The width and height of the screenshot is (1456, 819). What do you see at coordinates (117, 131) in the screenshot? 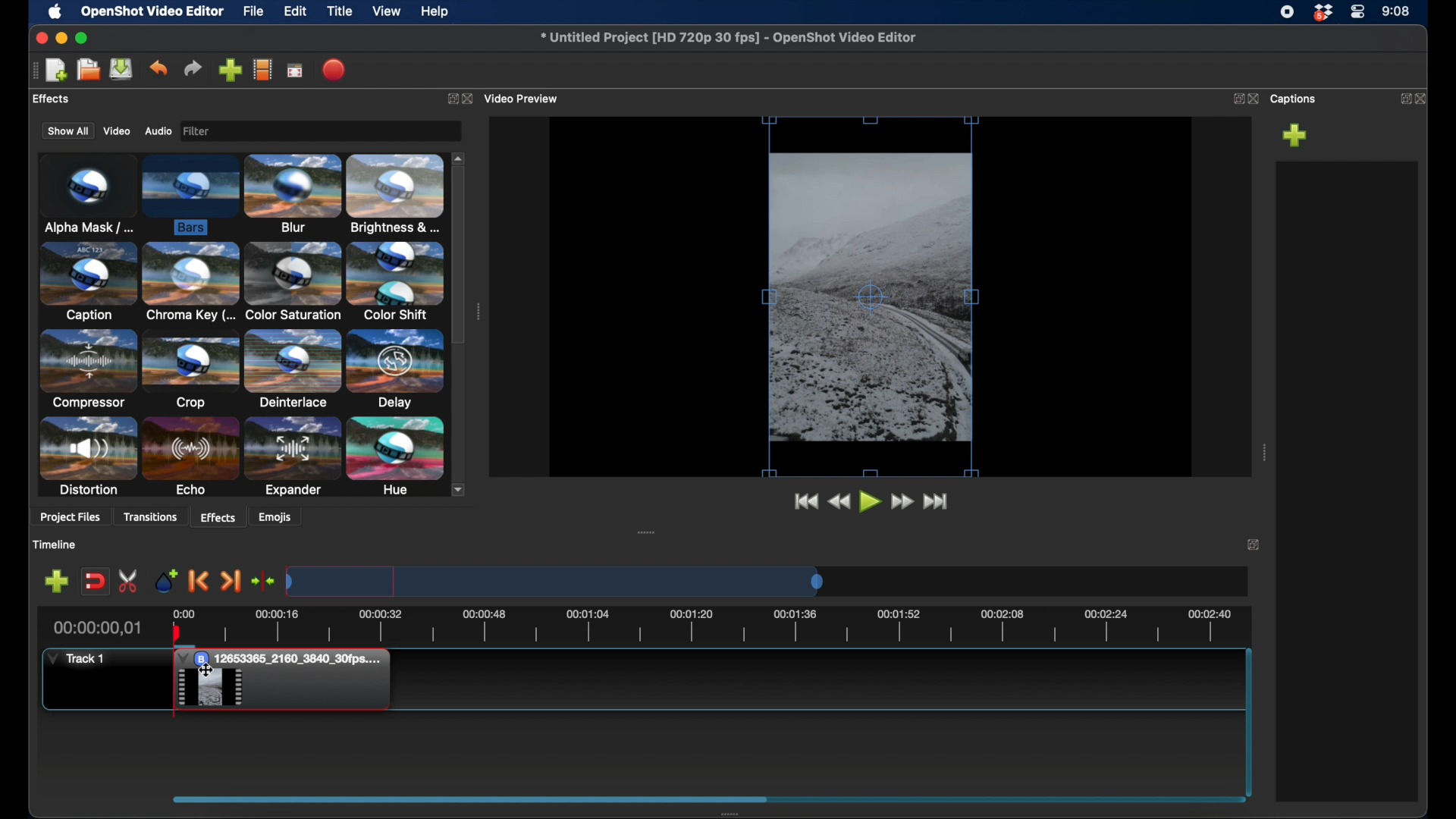
I see `video` at bounding box center [117, 131].